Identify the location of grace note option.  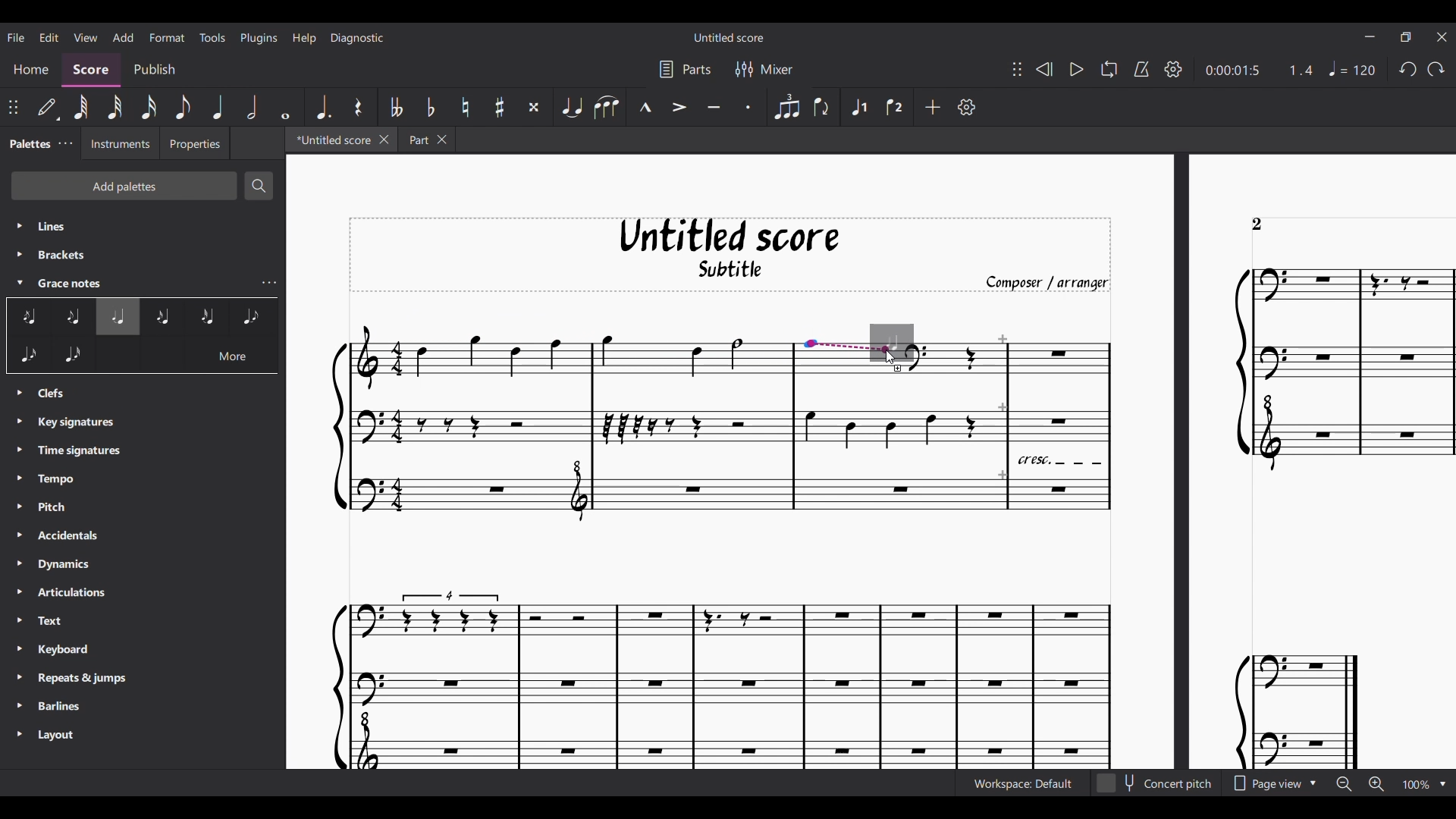
(51, 318).